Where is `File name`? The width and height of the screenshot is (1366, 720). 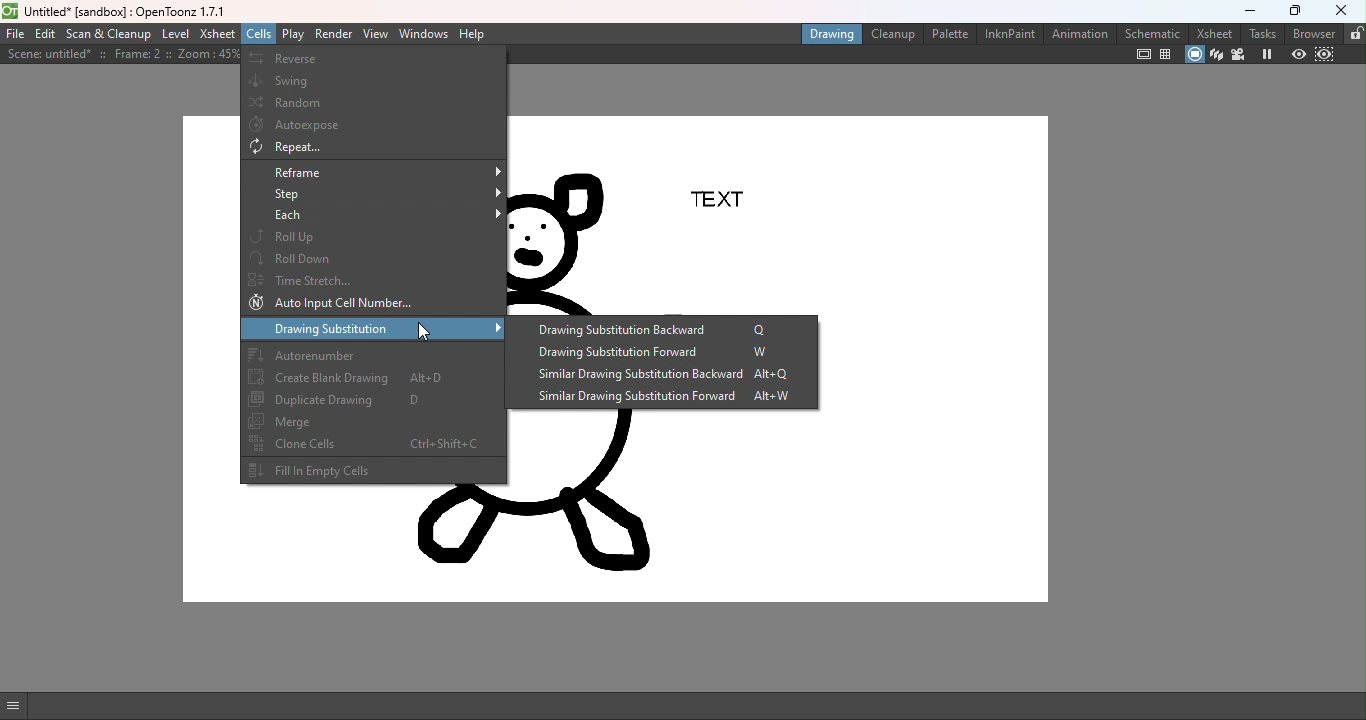
File name is located at coordinates (124, 10).